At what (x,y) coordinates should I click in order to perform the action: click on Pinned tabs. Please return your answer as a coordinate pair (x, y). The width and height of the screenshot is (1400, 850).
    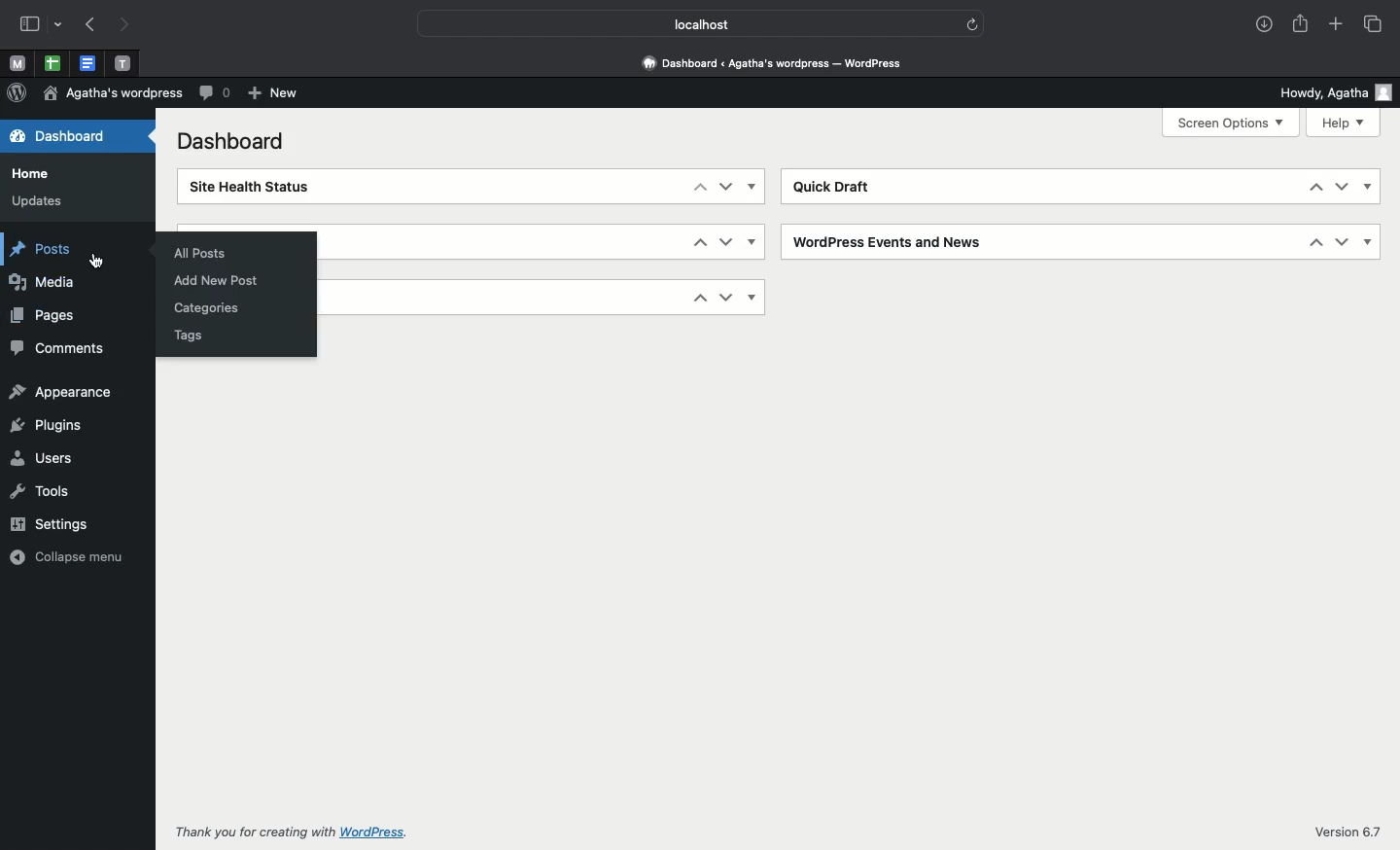
    Looking at the image, I should click on (51, 62).